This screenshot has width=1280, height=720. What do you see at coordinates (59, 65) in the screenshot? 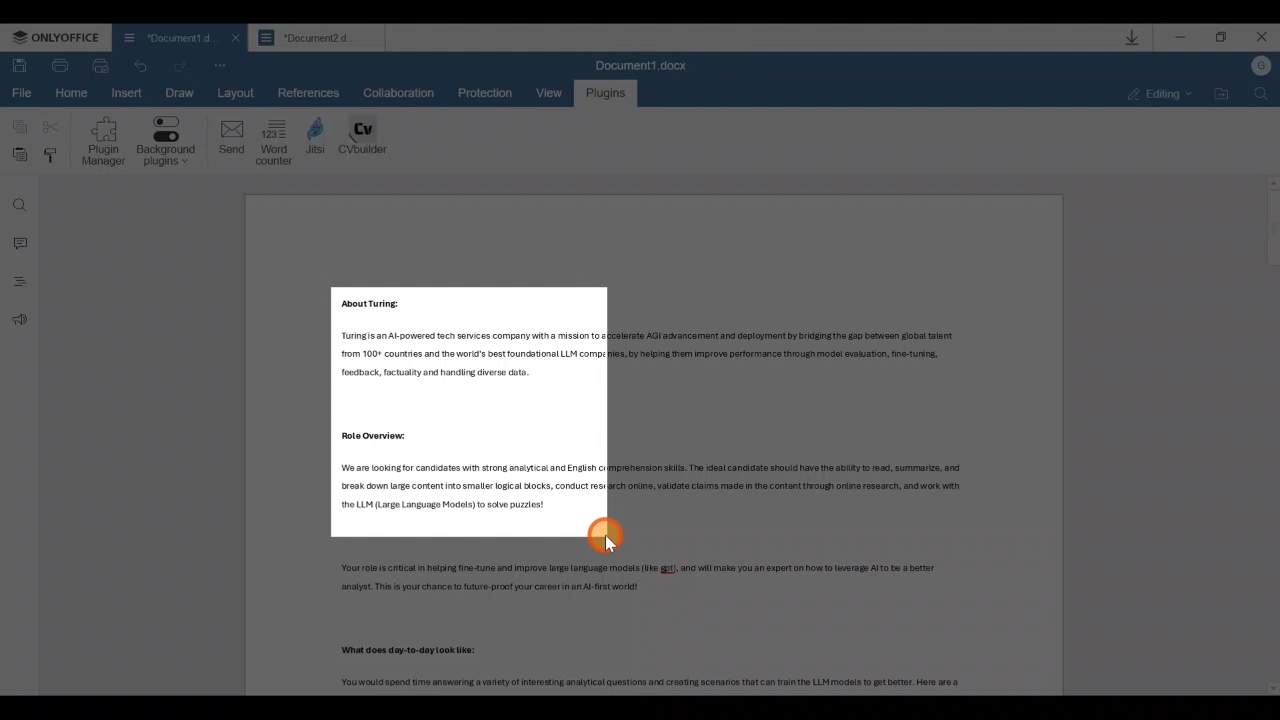
I see `Print file` at bounding box center [59, 65].